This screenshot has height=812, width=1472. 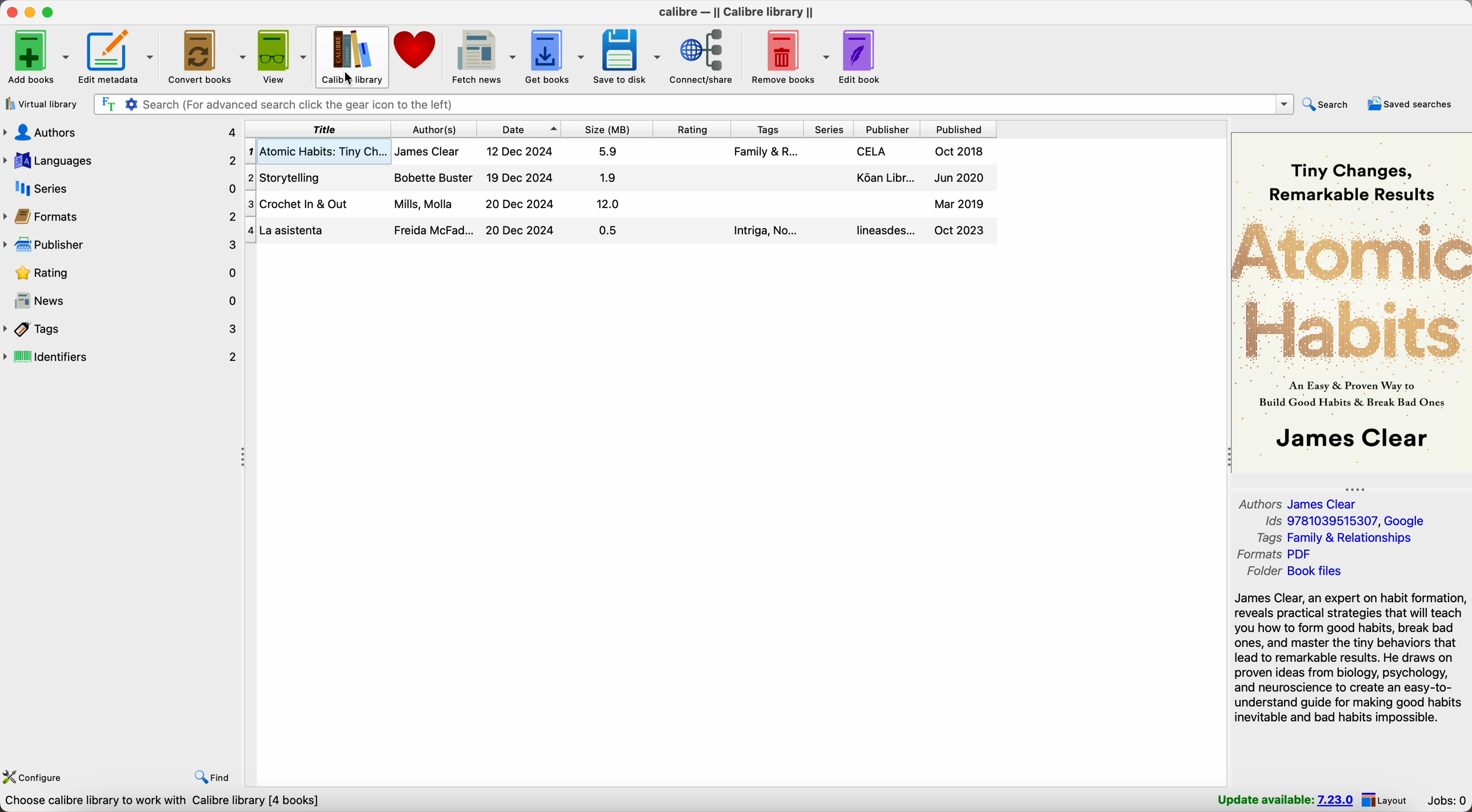 I want to click on published, so click(x=958, y=130).